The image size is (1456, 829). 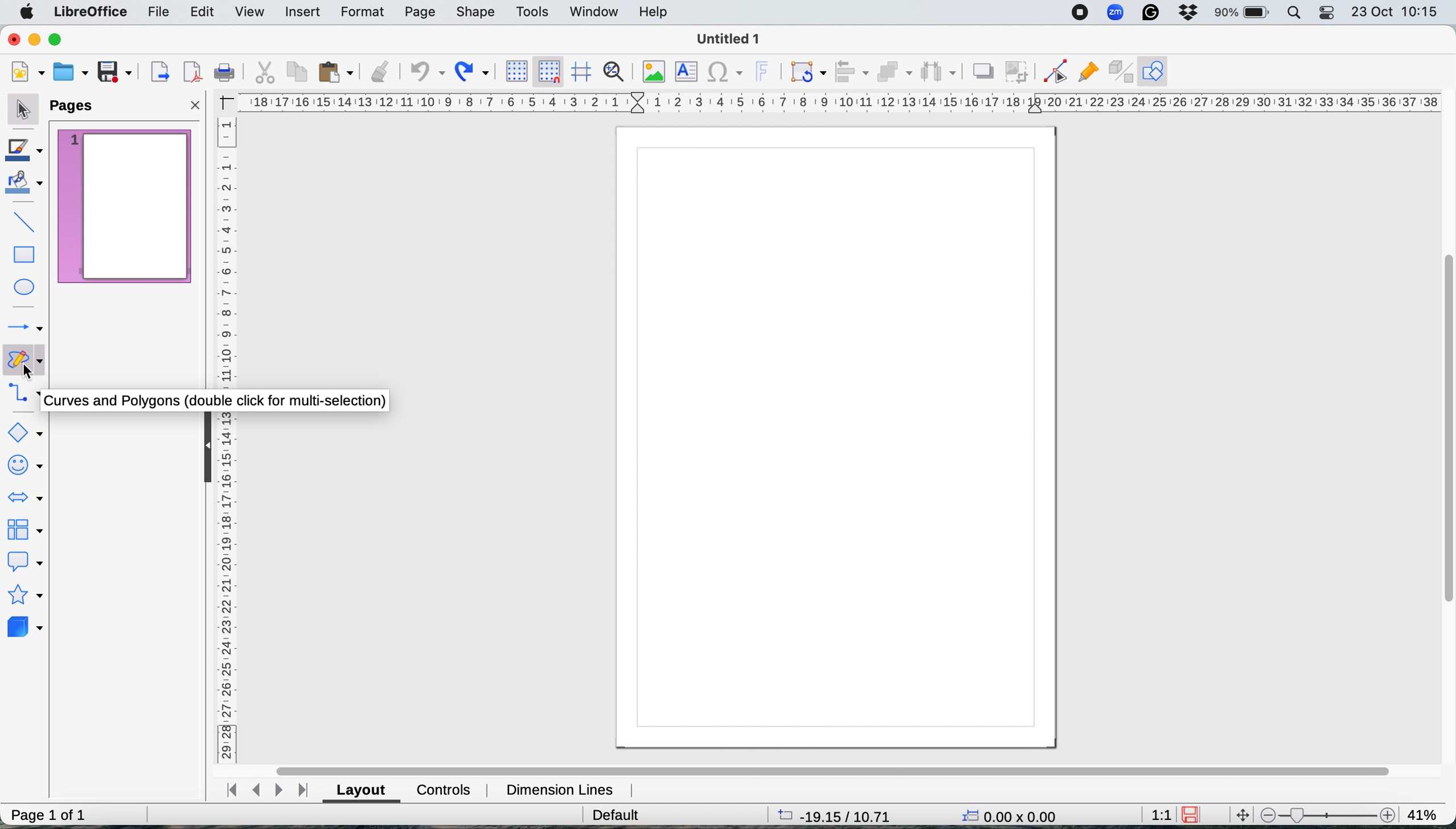 What do you see at coordinates (360, 791) in the screenshot?
I see `layout` at bounding box center [360, 791].